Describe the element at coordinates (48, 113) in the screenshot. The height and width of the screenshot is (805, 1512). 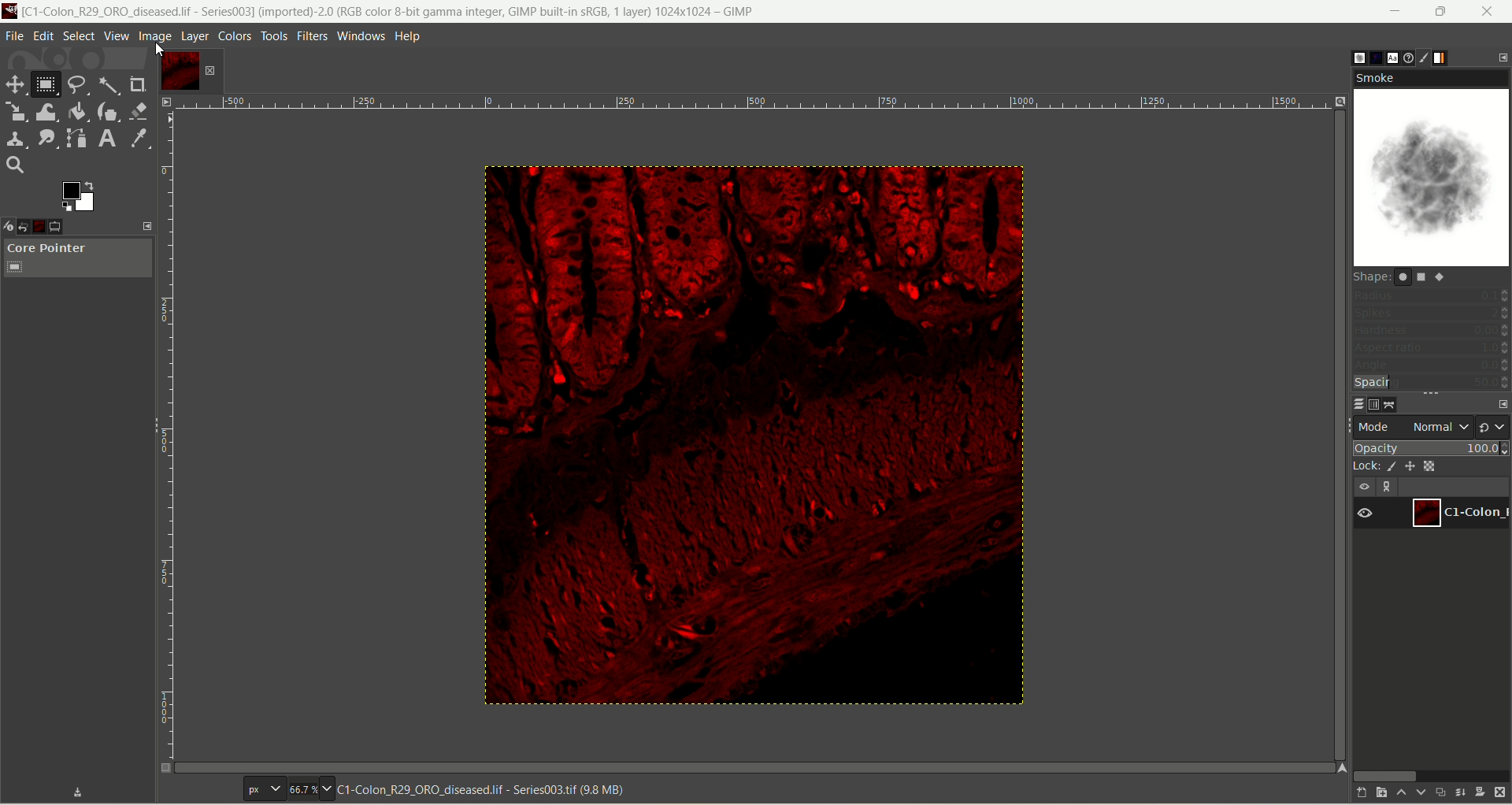
I see `wrap transform` at that location.